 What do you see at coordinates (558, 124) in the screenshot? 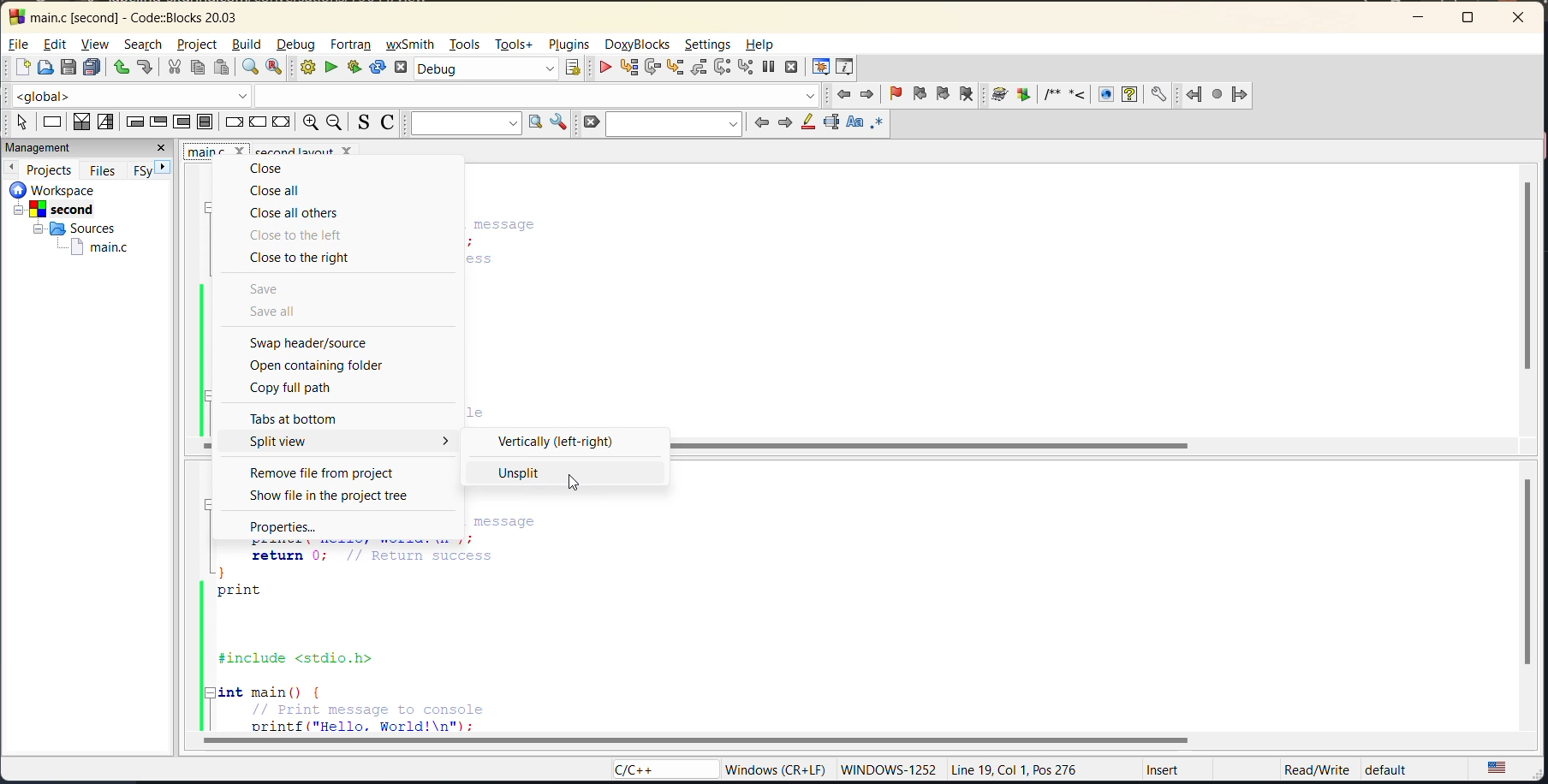
I see `show options window` at bounding box center [558, 124].